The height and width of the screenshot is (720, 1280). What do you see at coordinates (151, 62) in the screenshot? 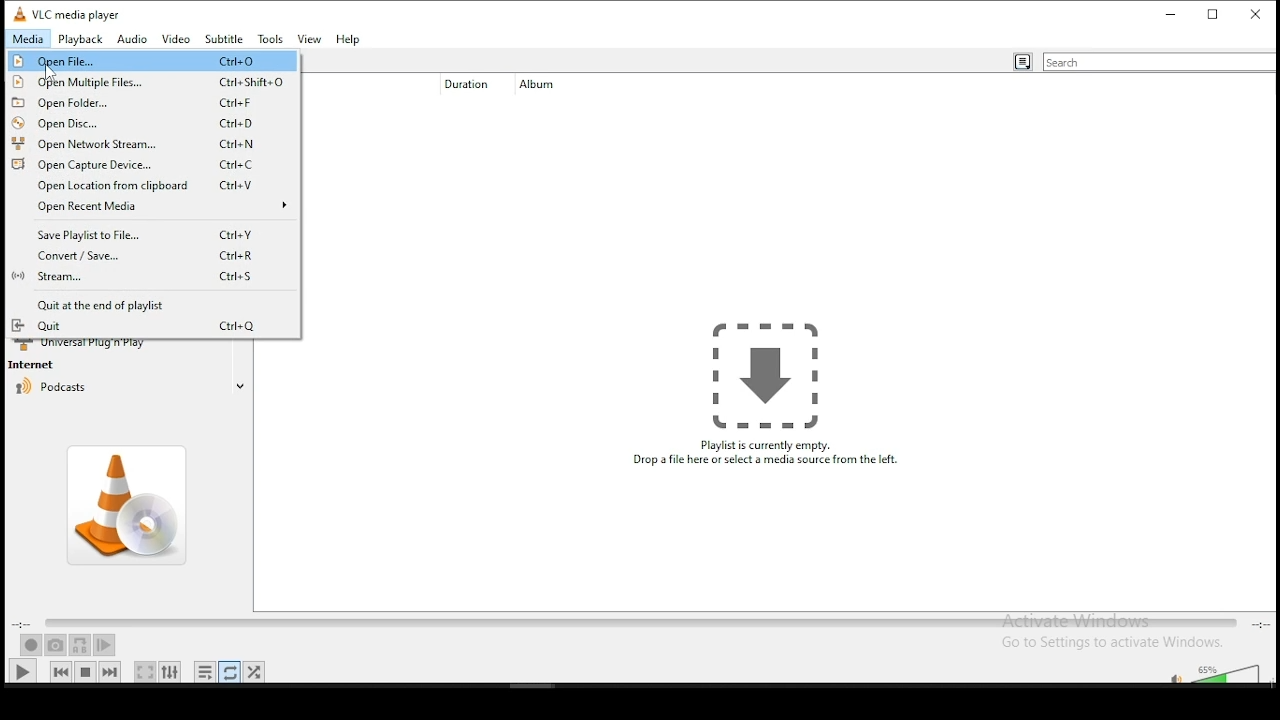
I see `open file` at bounding box center [151, 62].